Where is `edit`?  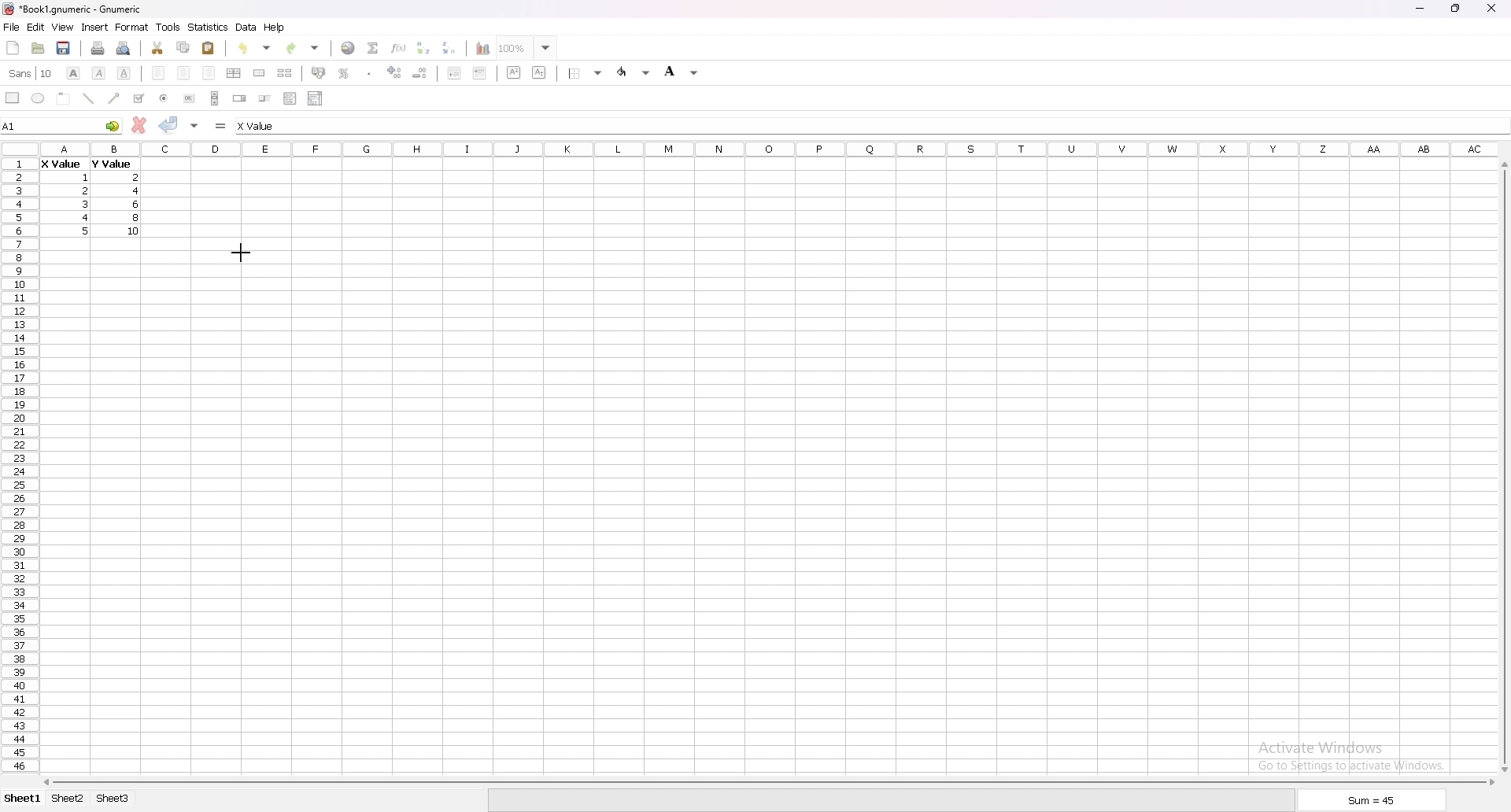
edit is located at coordinates (35, 27).